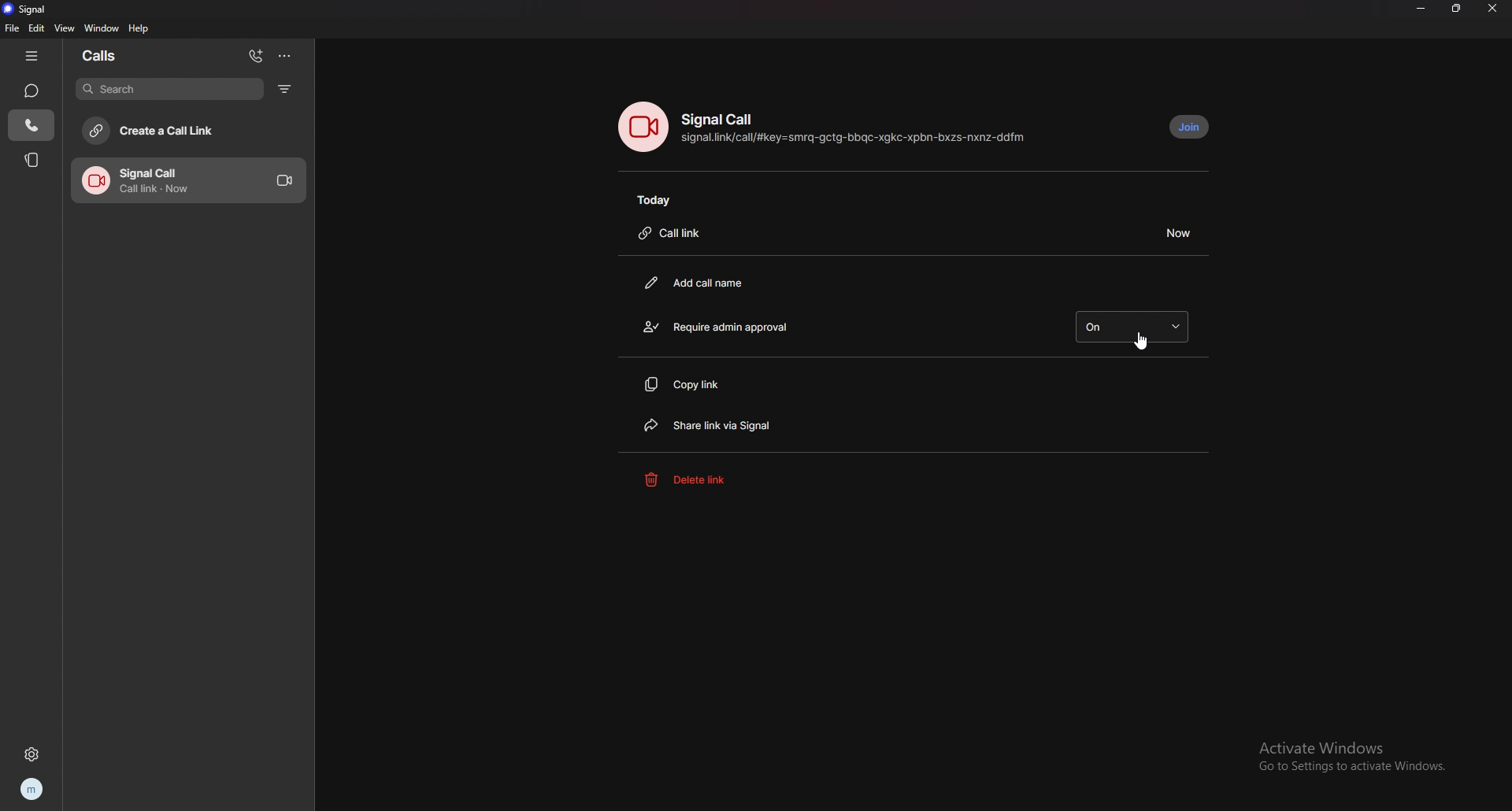 This screenshot has width=1512, height=811. What do you see at coordinates (1132, 326) in the screenshot?
I see `on` at bounding box center [1132, 326].